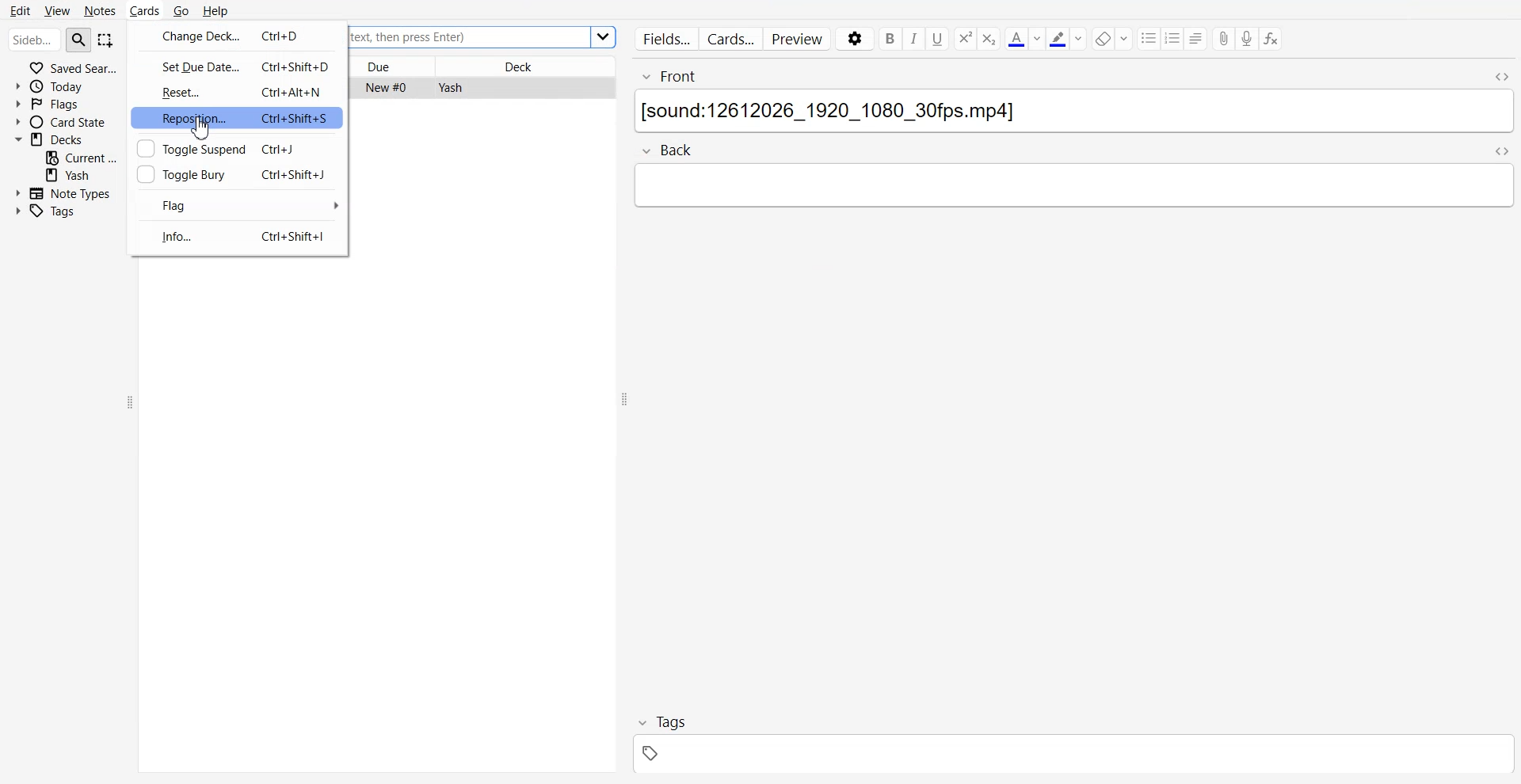 Image resolution: width=1521 pixels, height=784 pixels. I want to click on Yash, so click(449, 88).